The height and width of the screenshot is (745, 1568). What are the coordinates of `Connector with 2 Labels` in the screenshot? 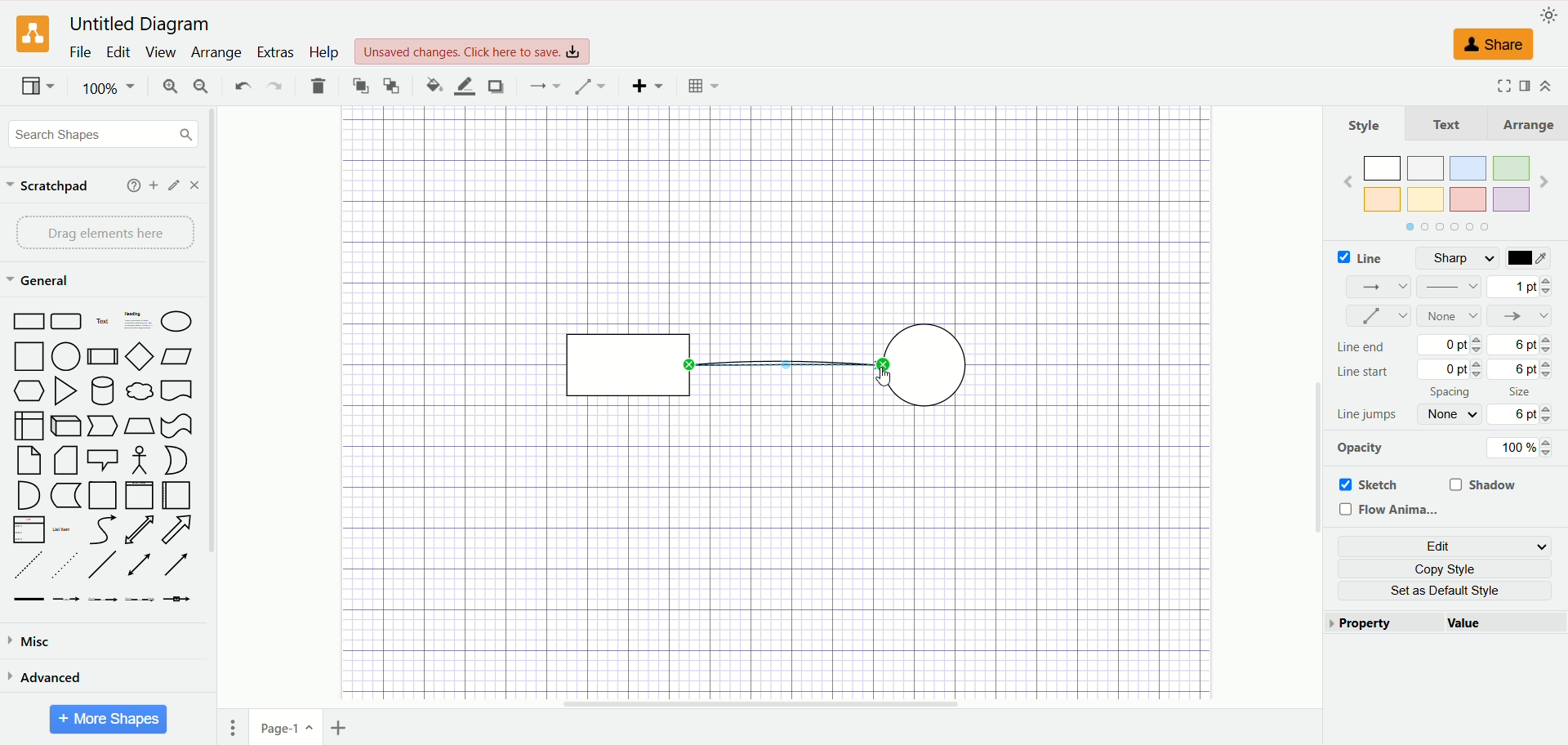 It's located at (104, 603).